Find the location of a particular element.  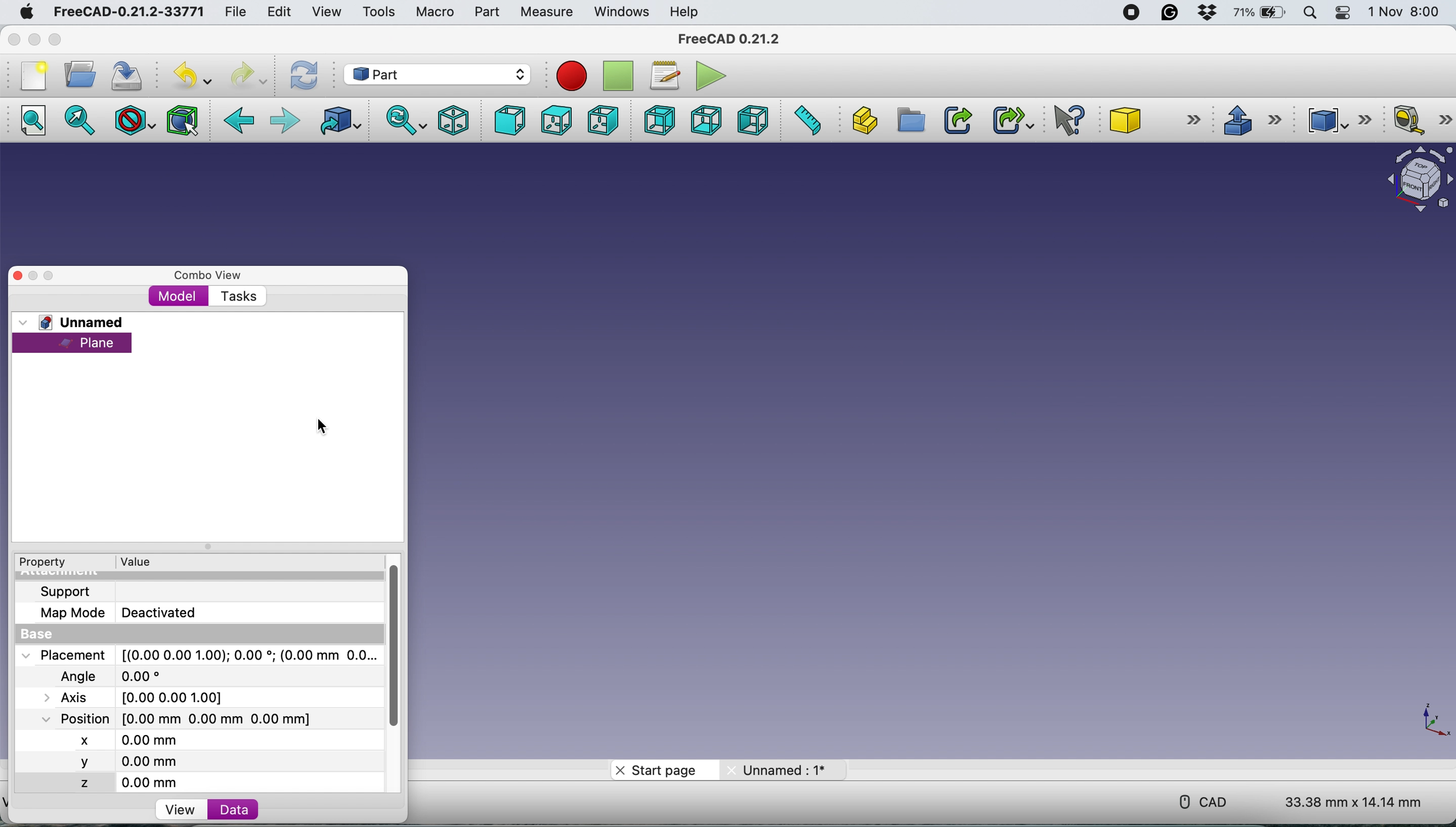

unnamed is located at coordinates (781, 770).